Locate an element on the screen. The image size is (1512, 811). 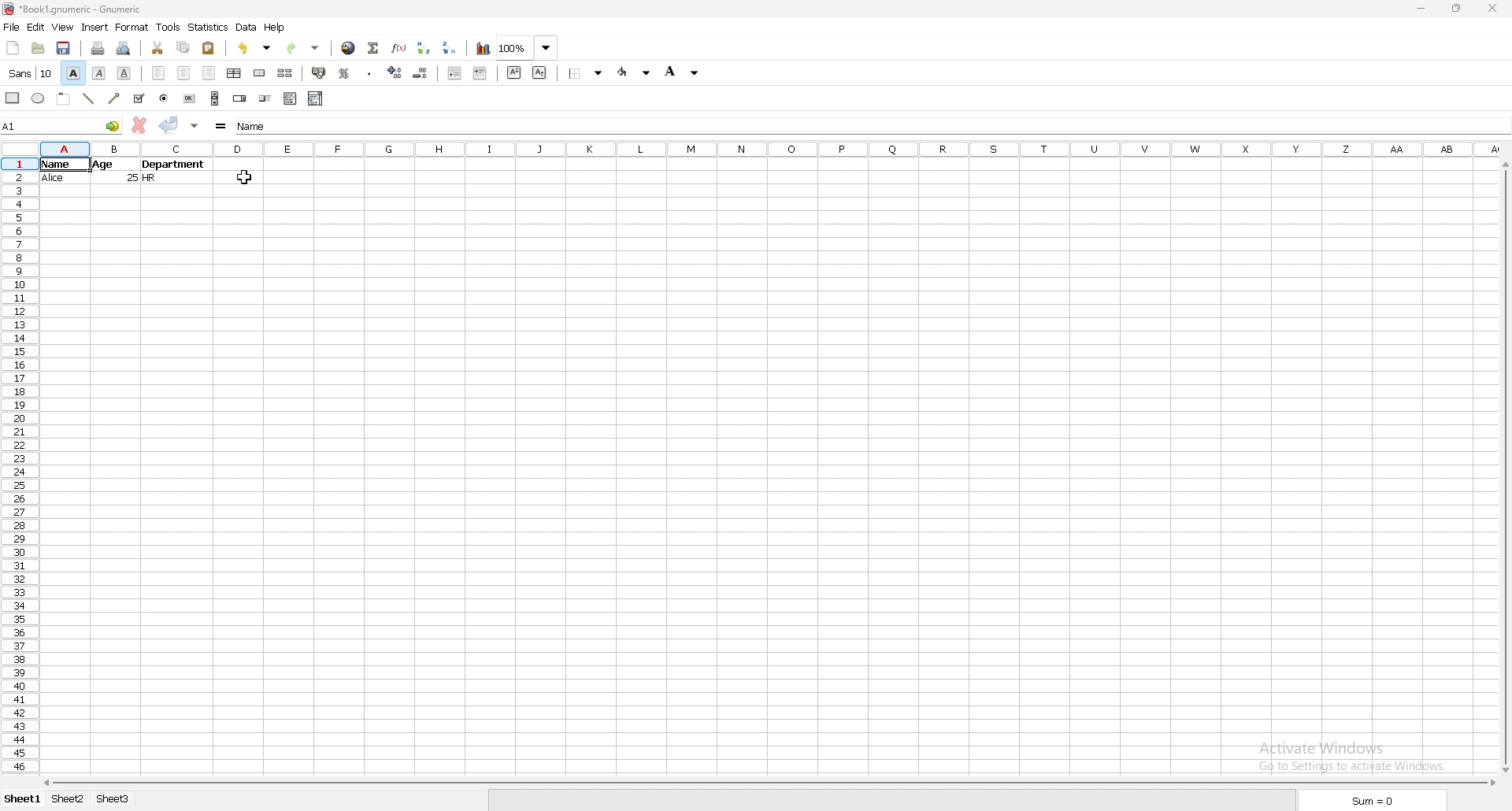
help is located at coordinates (275, 28).